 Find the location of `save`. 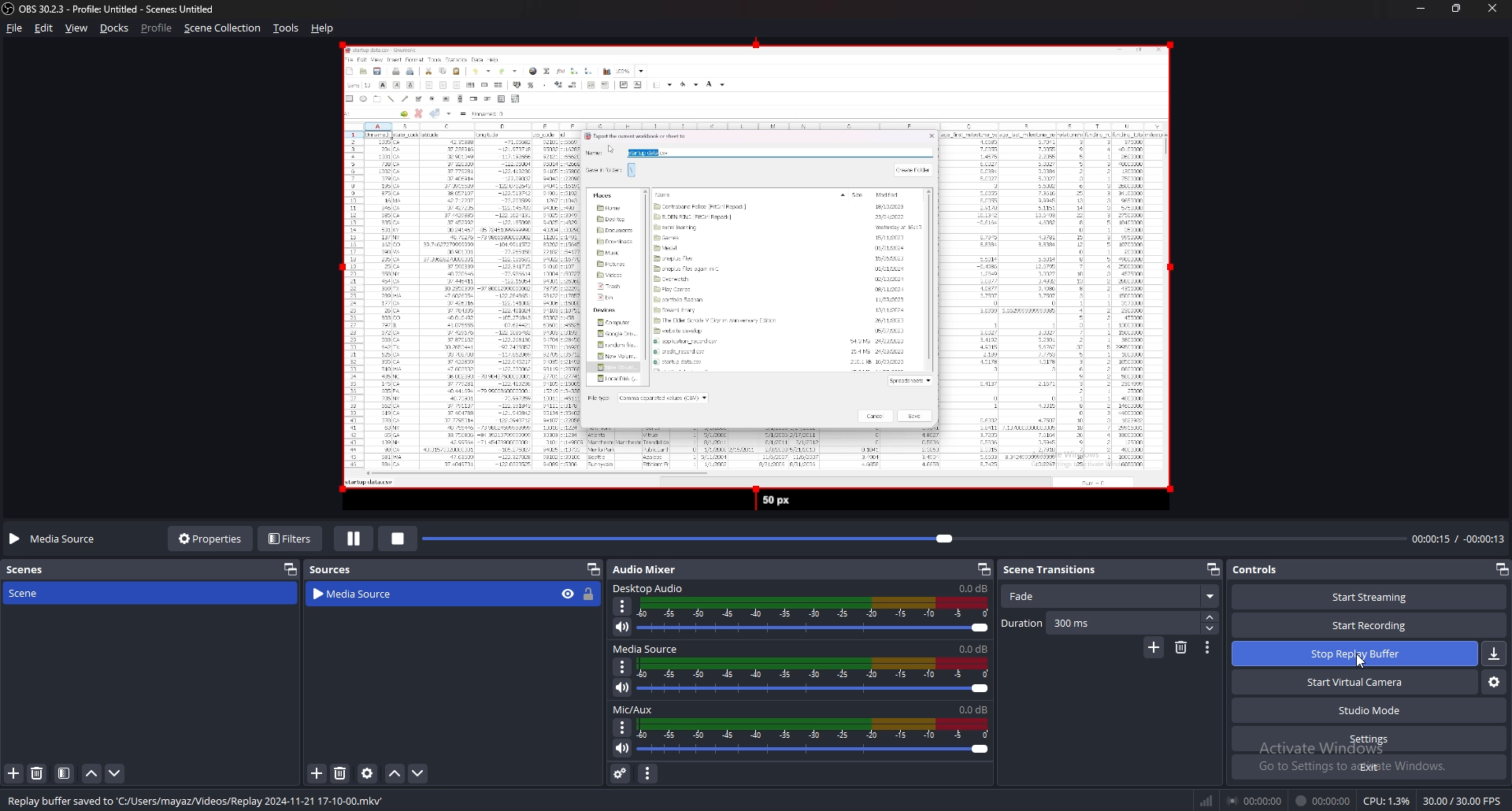

save is located at coordinates (1495, 654).